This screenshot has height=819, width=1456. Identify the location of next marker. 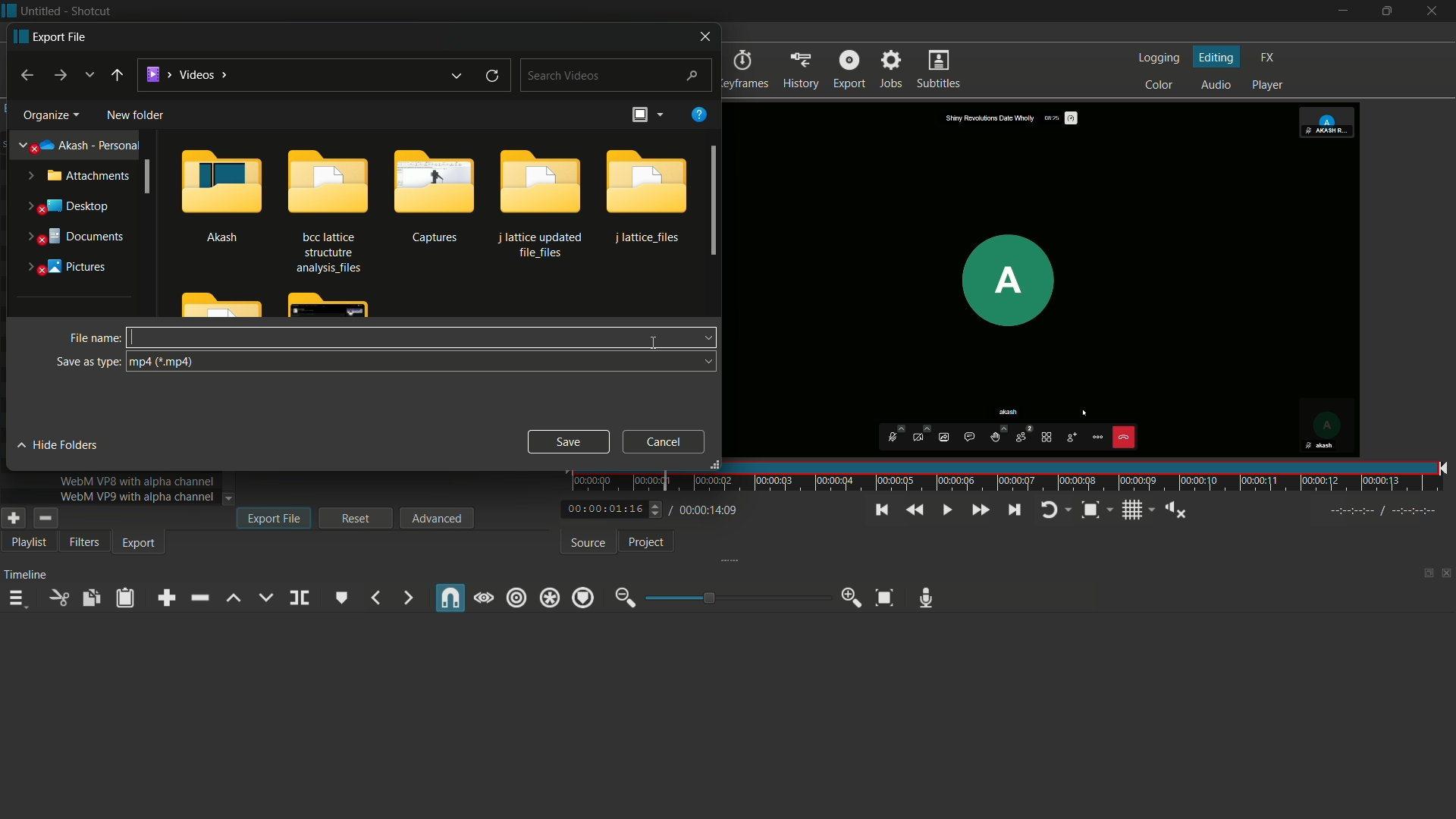
(406, 598).